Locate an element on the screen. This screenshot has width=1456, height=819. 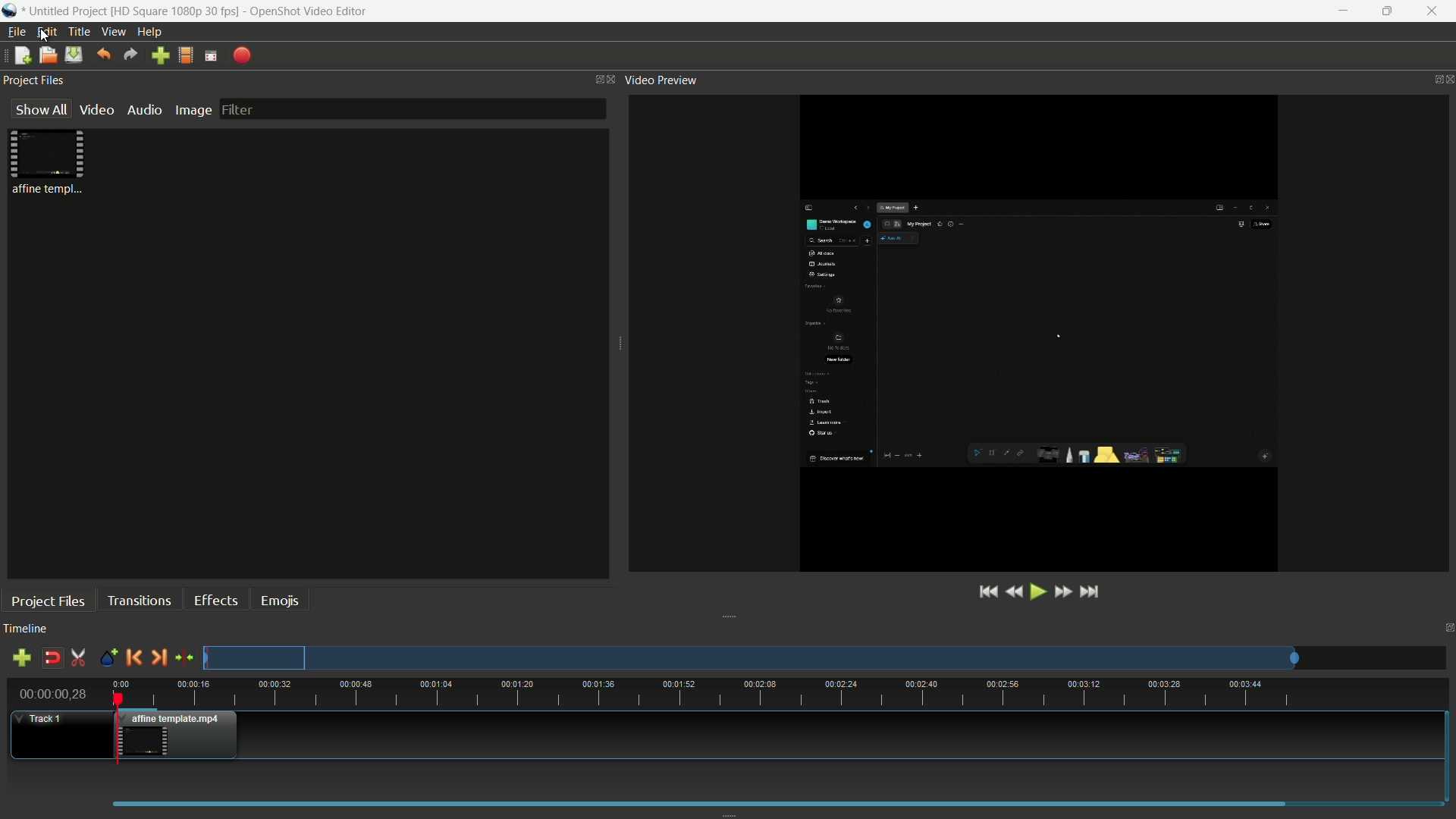
track 1 is located at coordinates (42, 719).